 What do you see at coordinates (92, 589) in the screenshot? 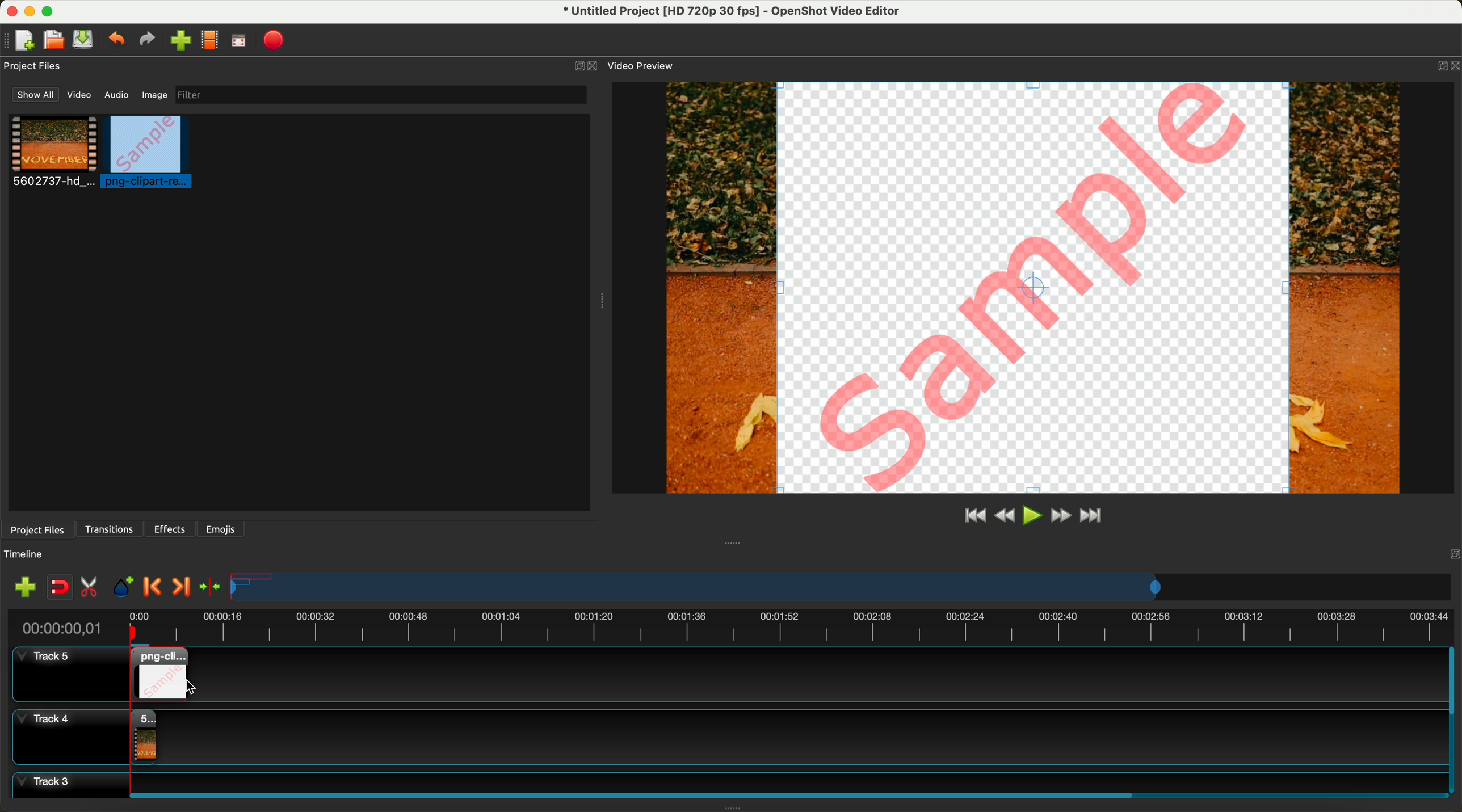
I see `enable razor` at bounding box center [92, 589].